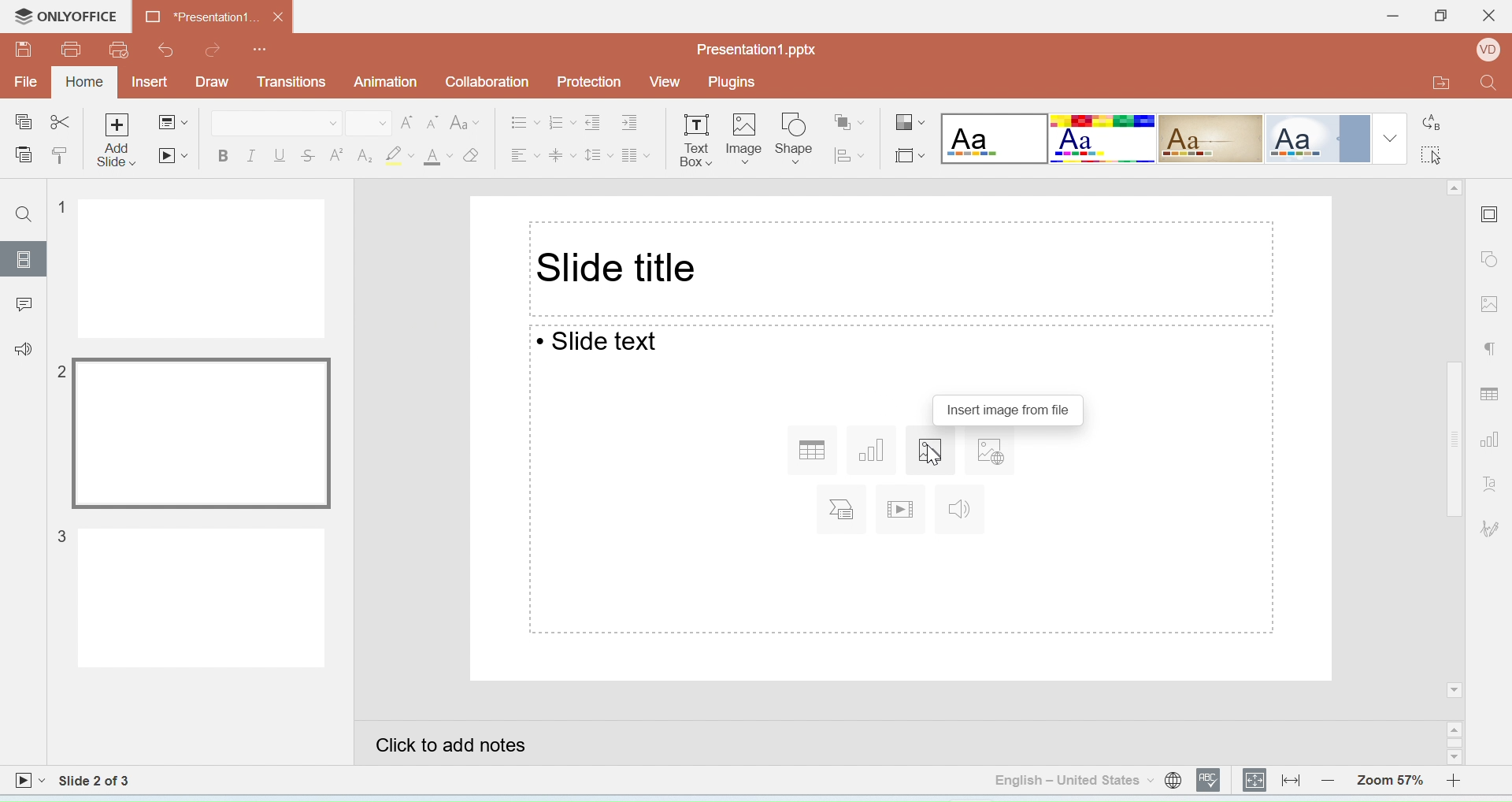 The width and height of the screenshot is (1512, 802). What do you see at coordinates (851, 154) in the screenshot?
I see `Align shape` at bounding box center [851, 154].